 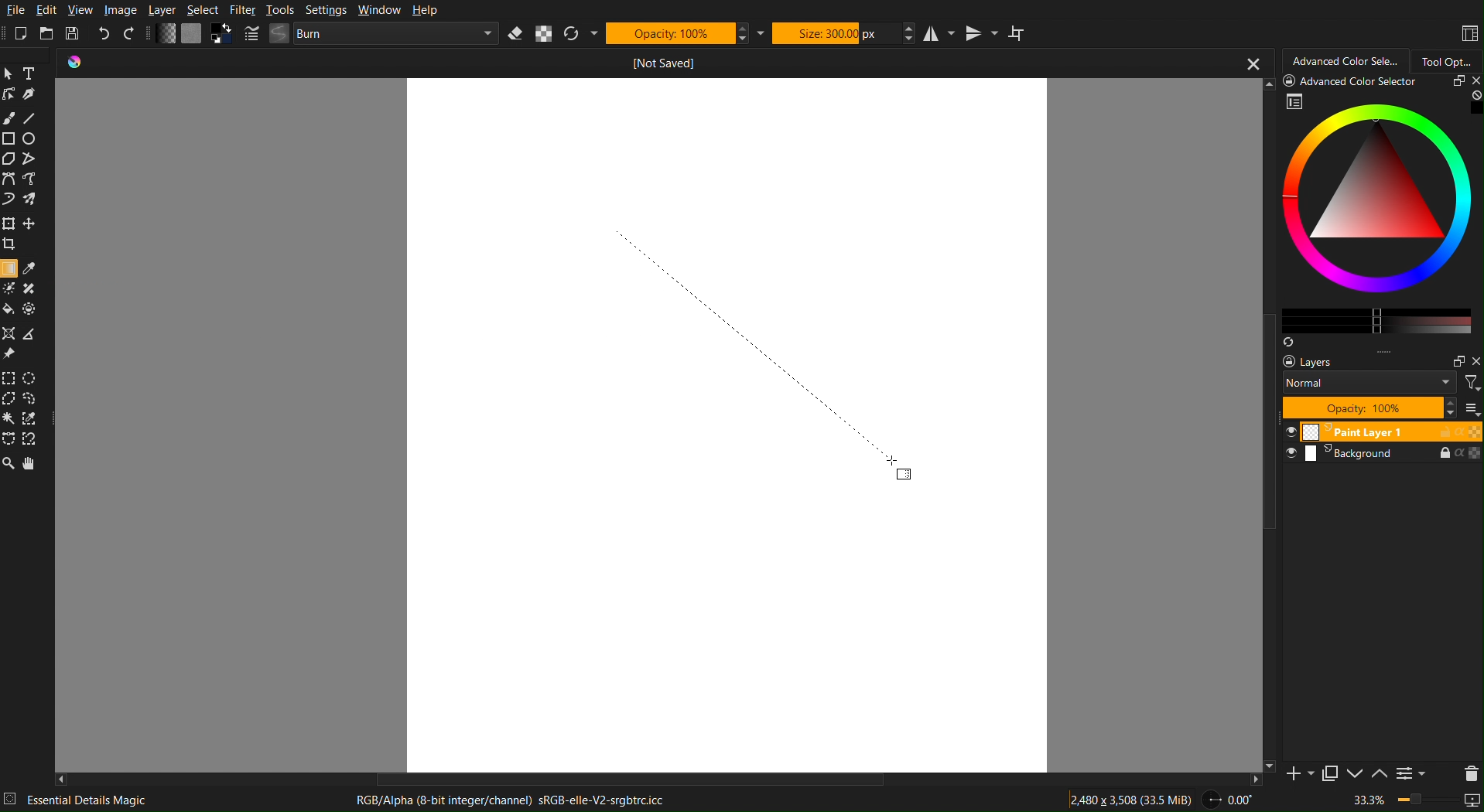 I want to click on RGB/Alpha, so click(x=517, y=800).